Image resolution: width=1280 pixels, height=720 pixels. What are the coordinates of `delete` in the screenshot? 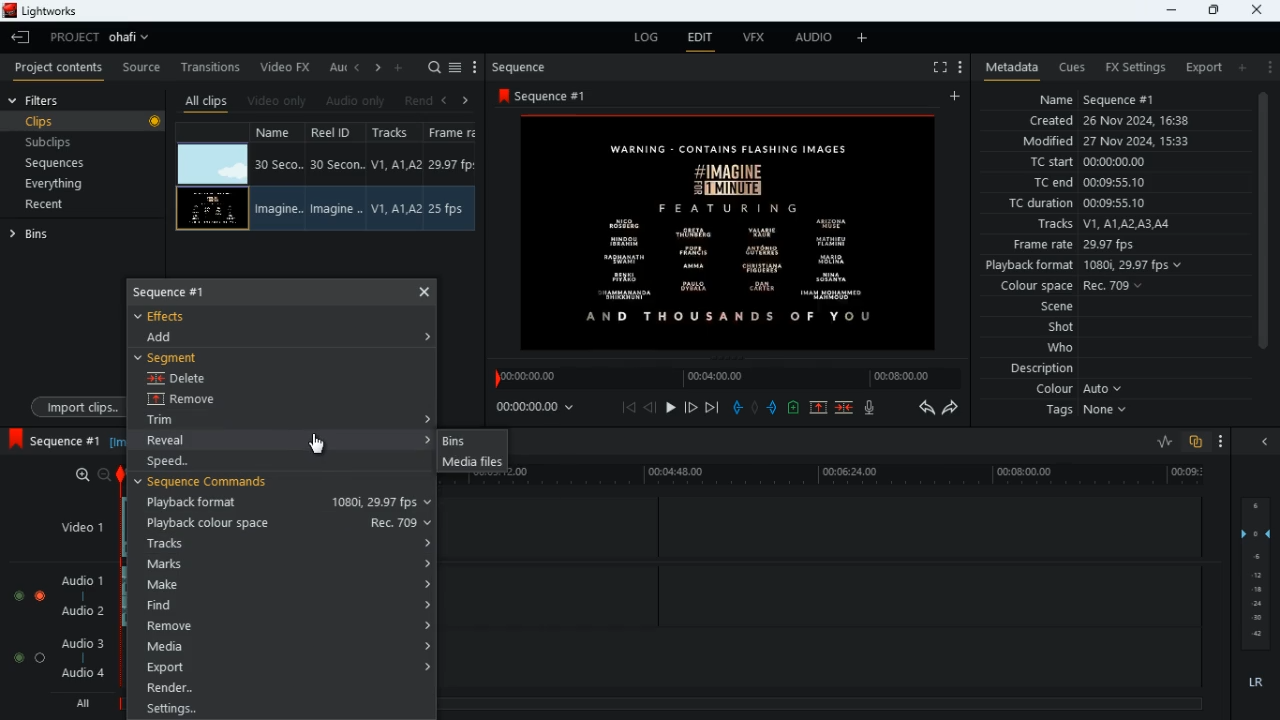 It's located at (183, 380).